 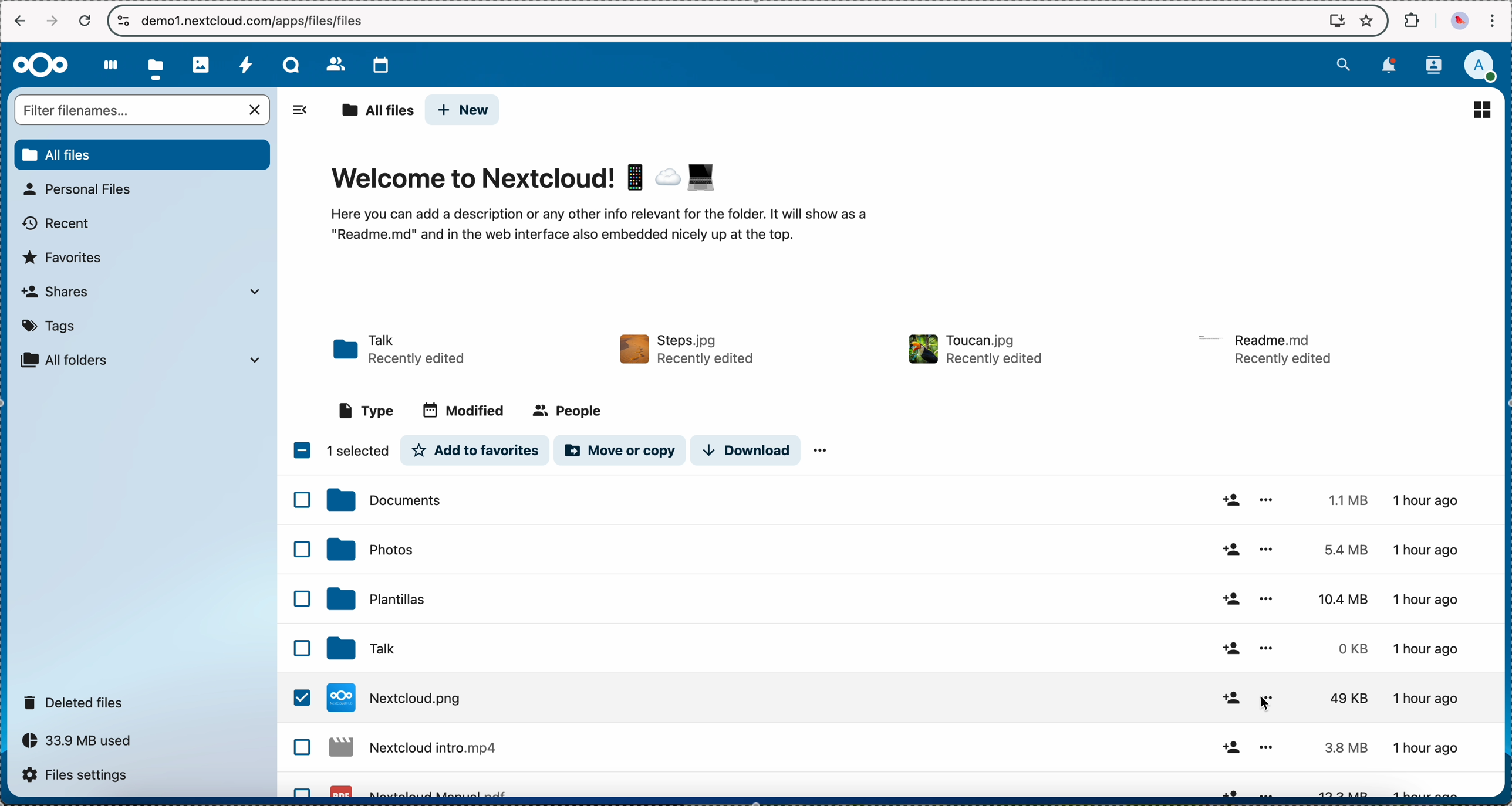 I want to click on user profile, so click(x=1486, y=66).